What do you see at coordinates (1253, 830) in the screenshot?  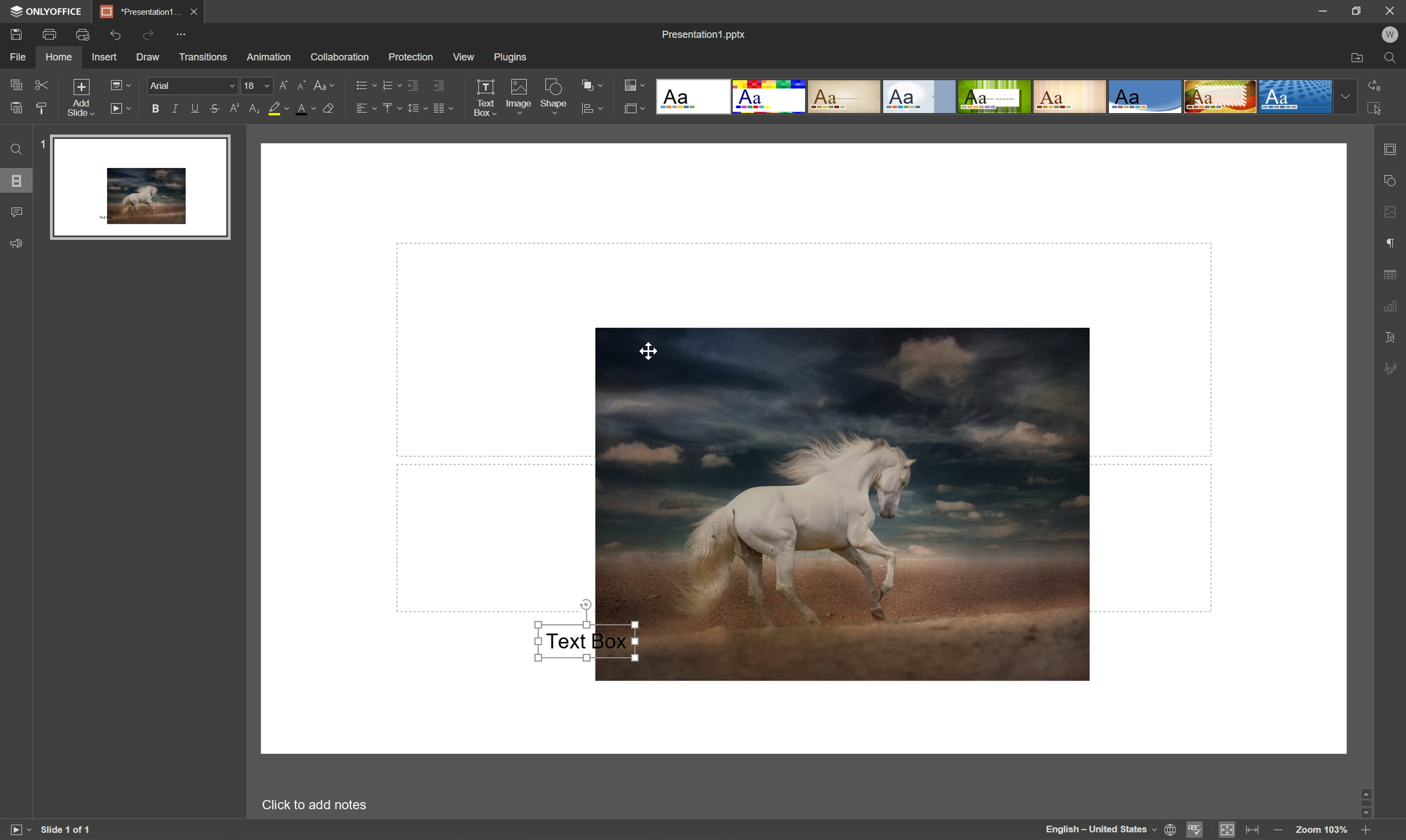 I see `Fit to width` at bounding box center [1253, 830].